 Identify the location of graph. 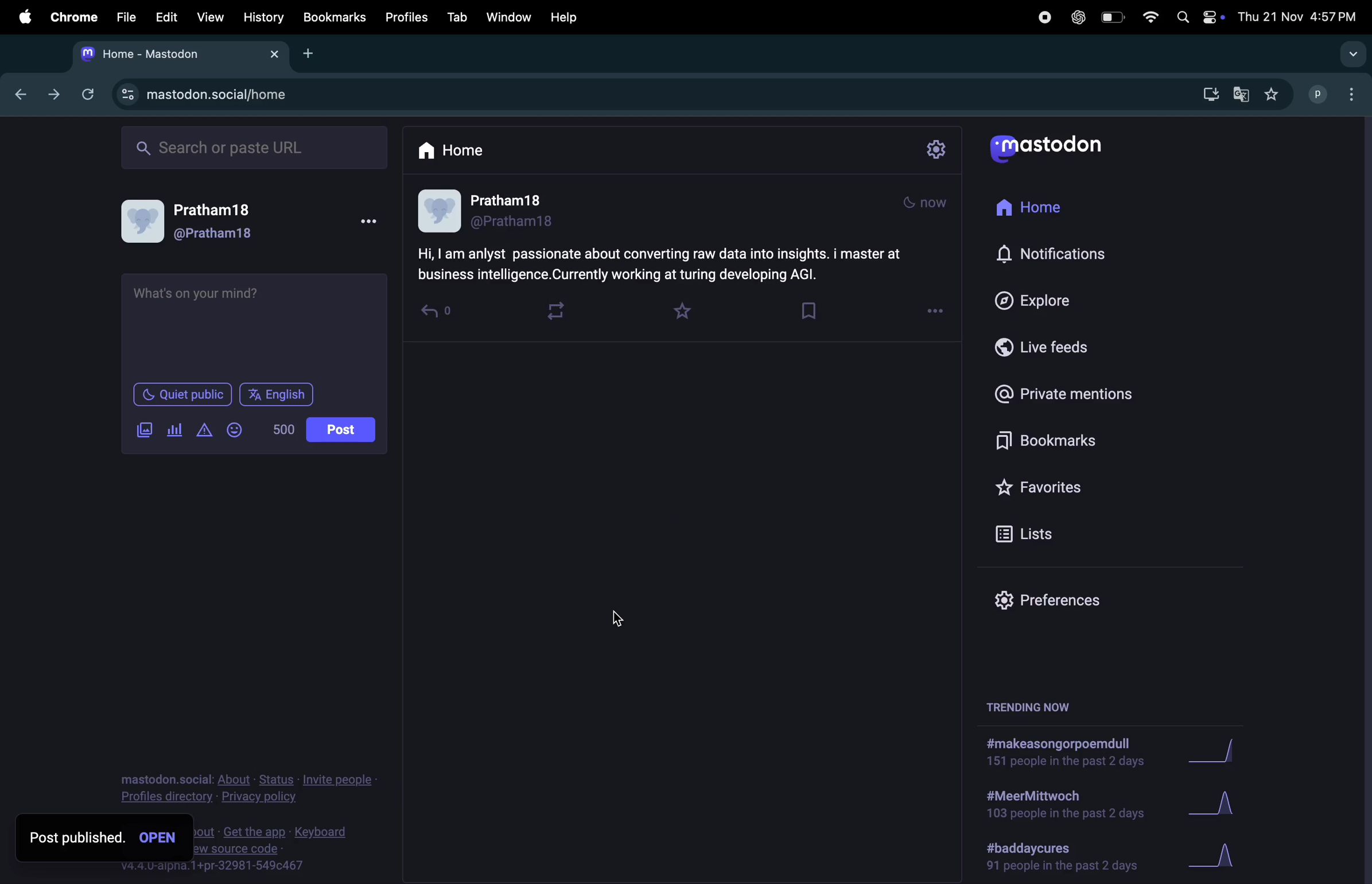
(1218, 753).